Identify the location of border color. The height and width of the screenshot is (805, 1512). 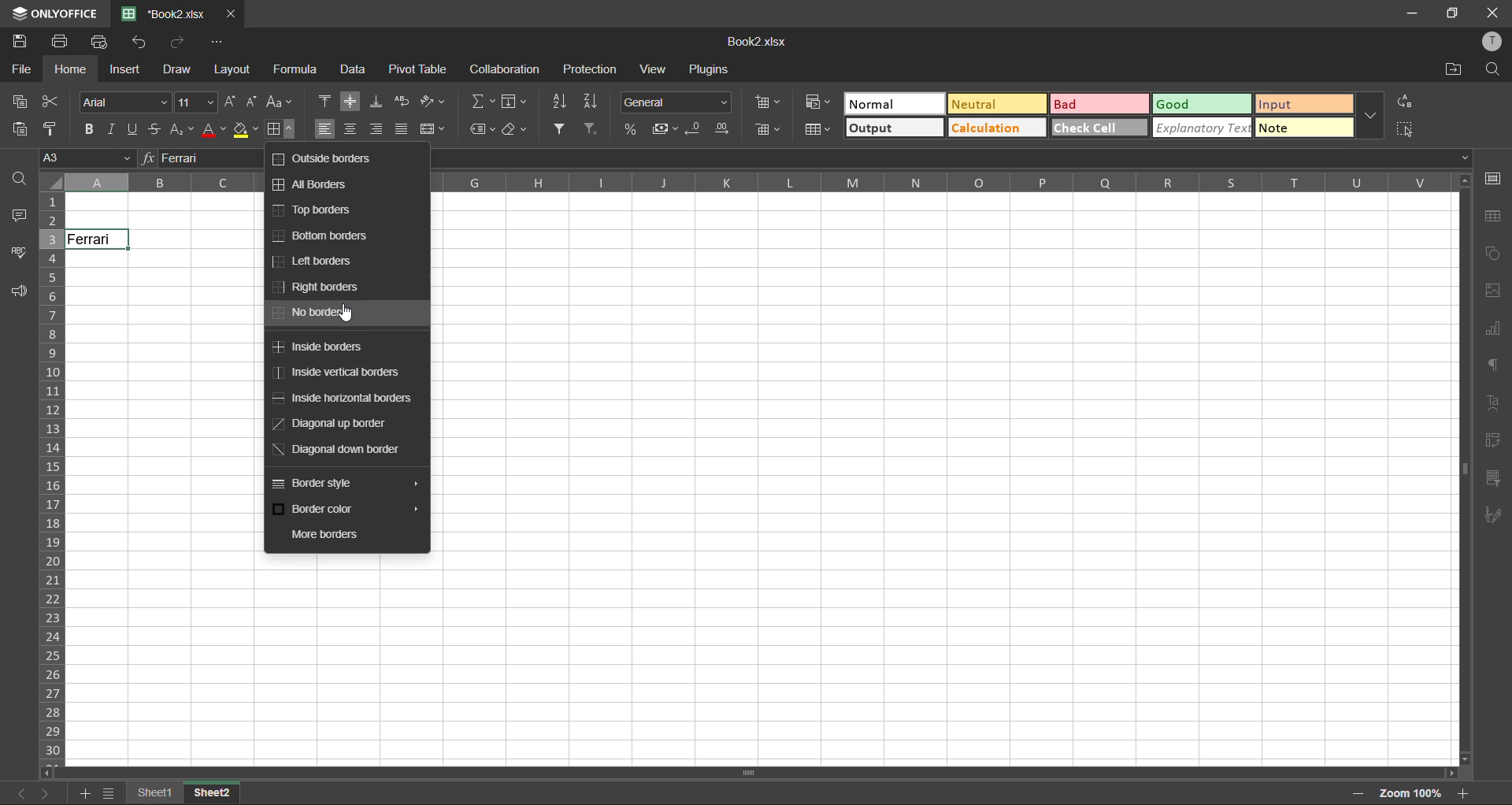
(323, 510).